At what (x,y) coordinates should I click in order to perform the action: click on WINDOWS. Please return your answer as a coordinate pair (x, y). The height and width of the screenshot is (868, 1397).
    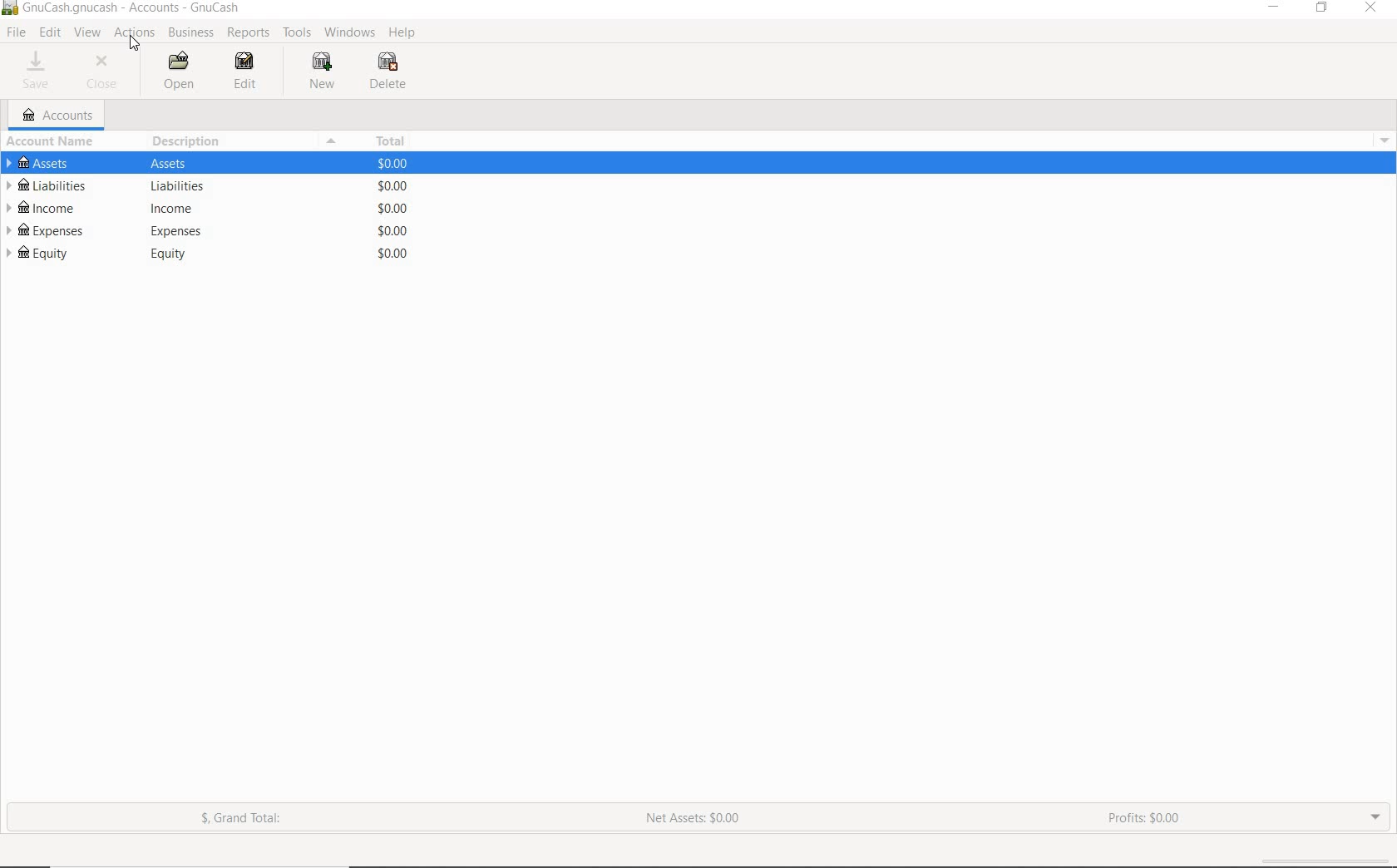
    Looking at the image, I should click on (348, 32).